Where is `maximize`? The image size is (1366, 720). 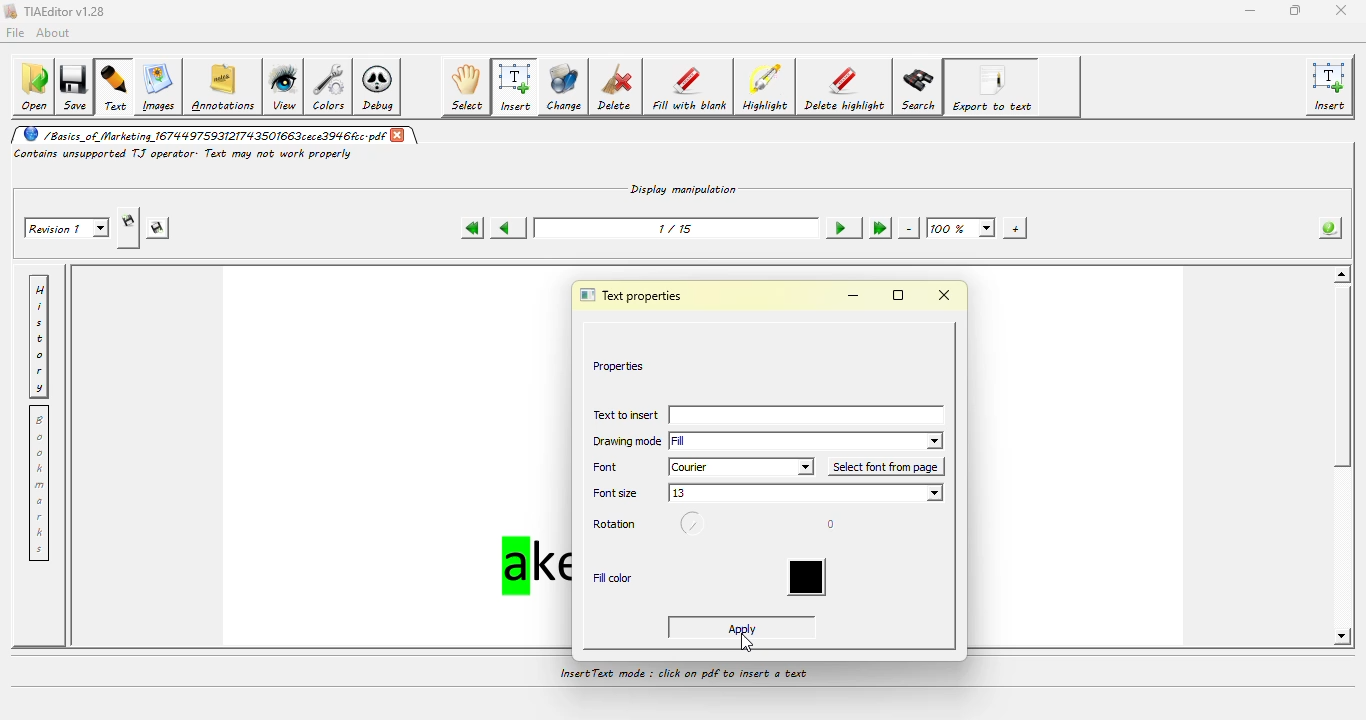
maximize is located at coordinates (1292, 10).